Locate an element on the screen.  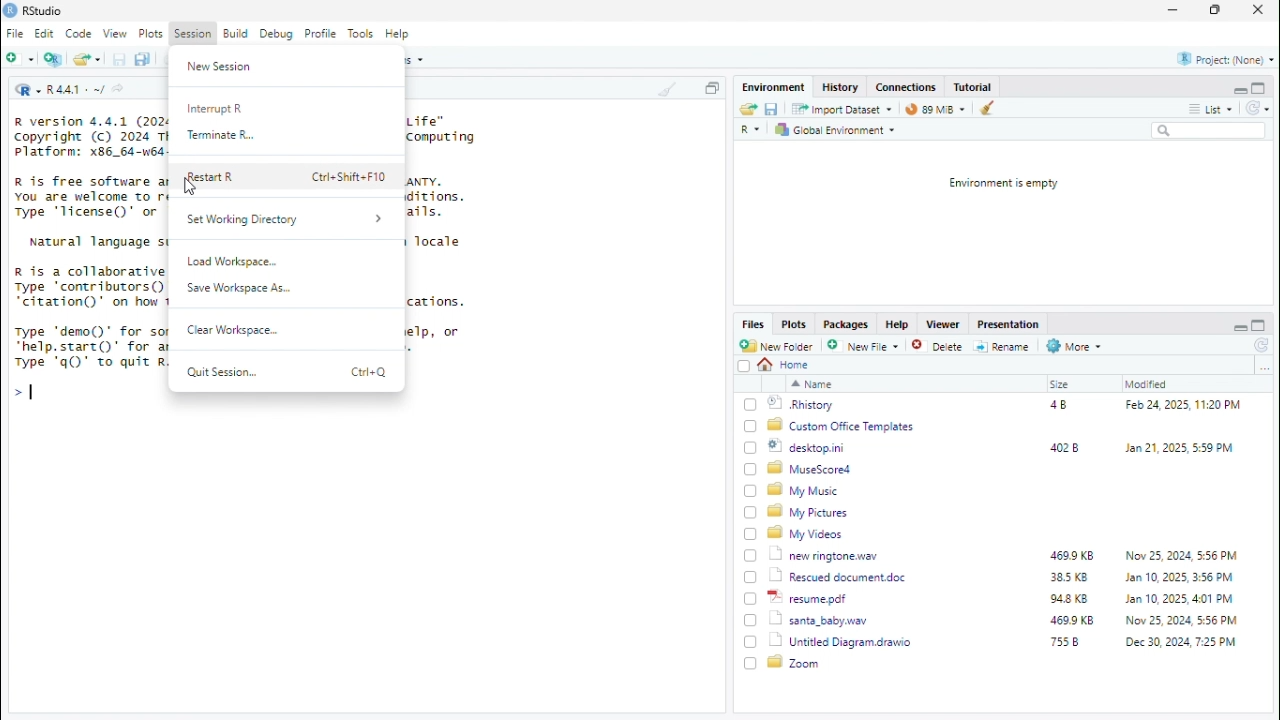
Checkbox is located at coordinates (750, 620).